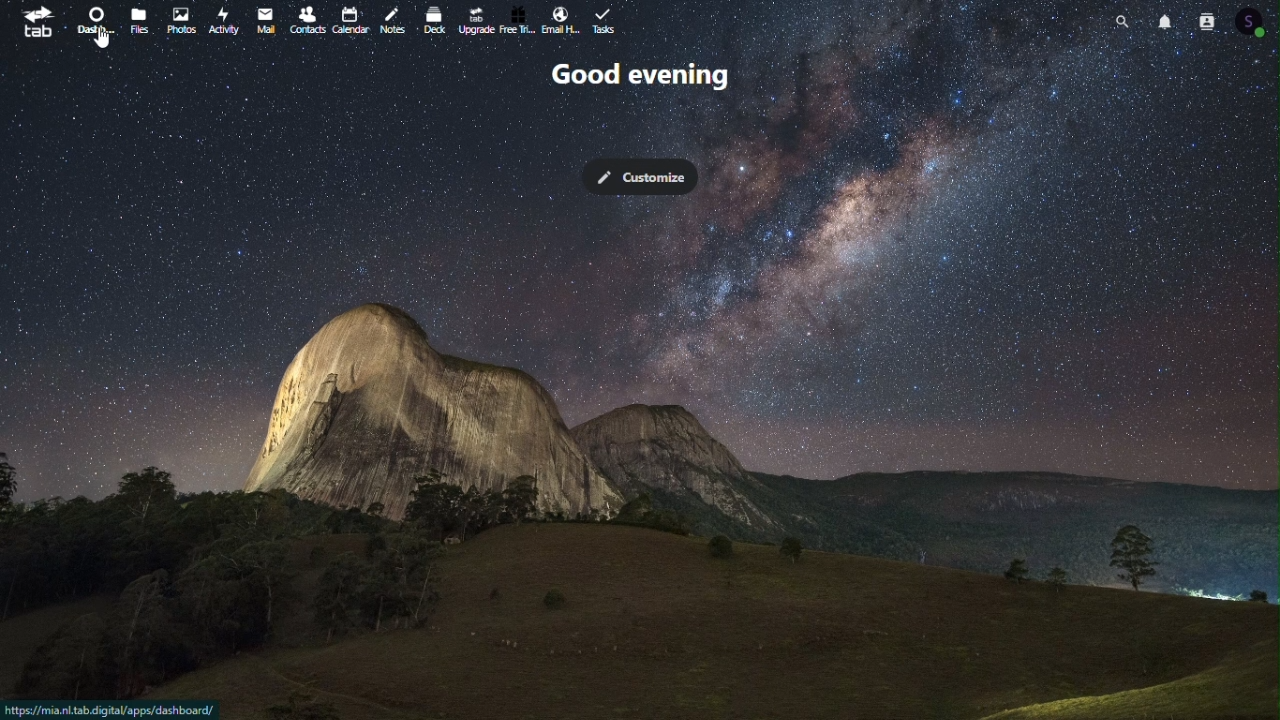  What do you see at coordinates (438, 19) in the screenshot?
I see `deck` at bounding box center [438, 19].